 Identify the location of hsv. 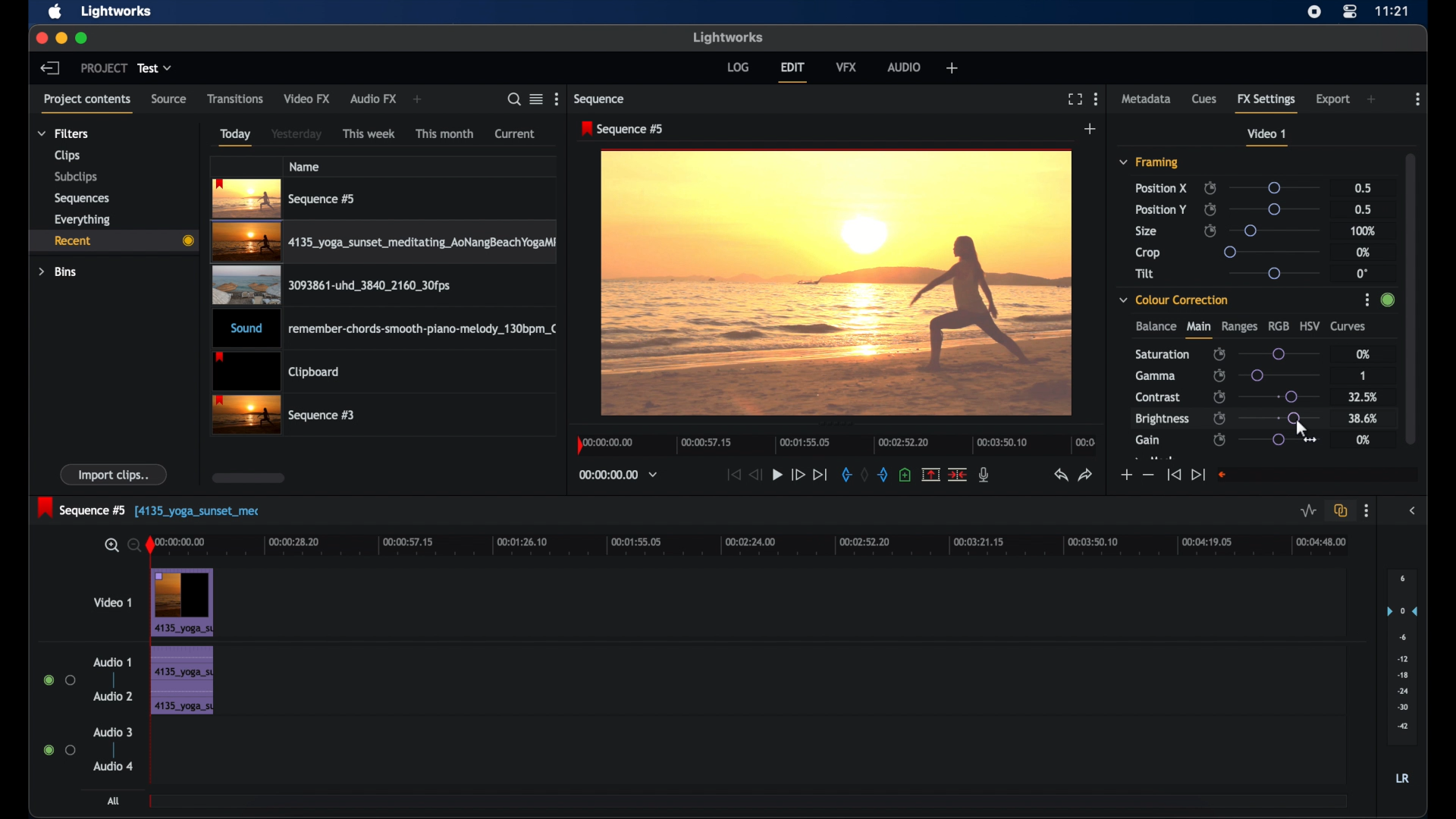
(1310, 325).